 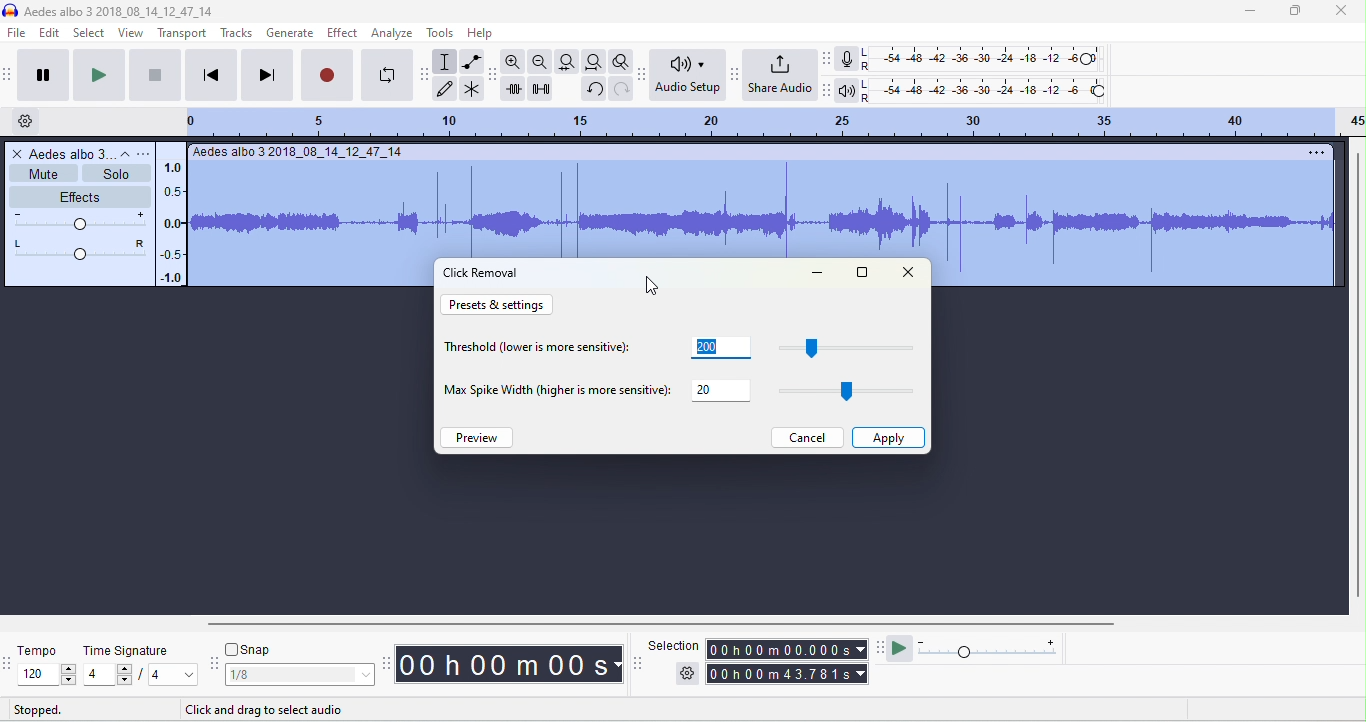 What do you see at coordinates (180, 33) in the screenshot?
I see `transport` at bounding box center [180, 33].